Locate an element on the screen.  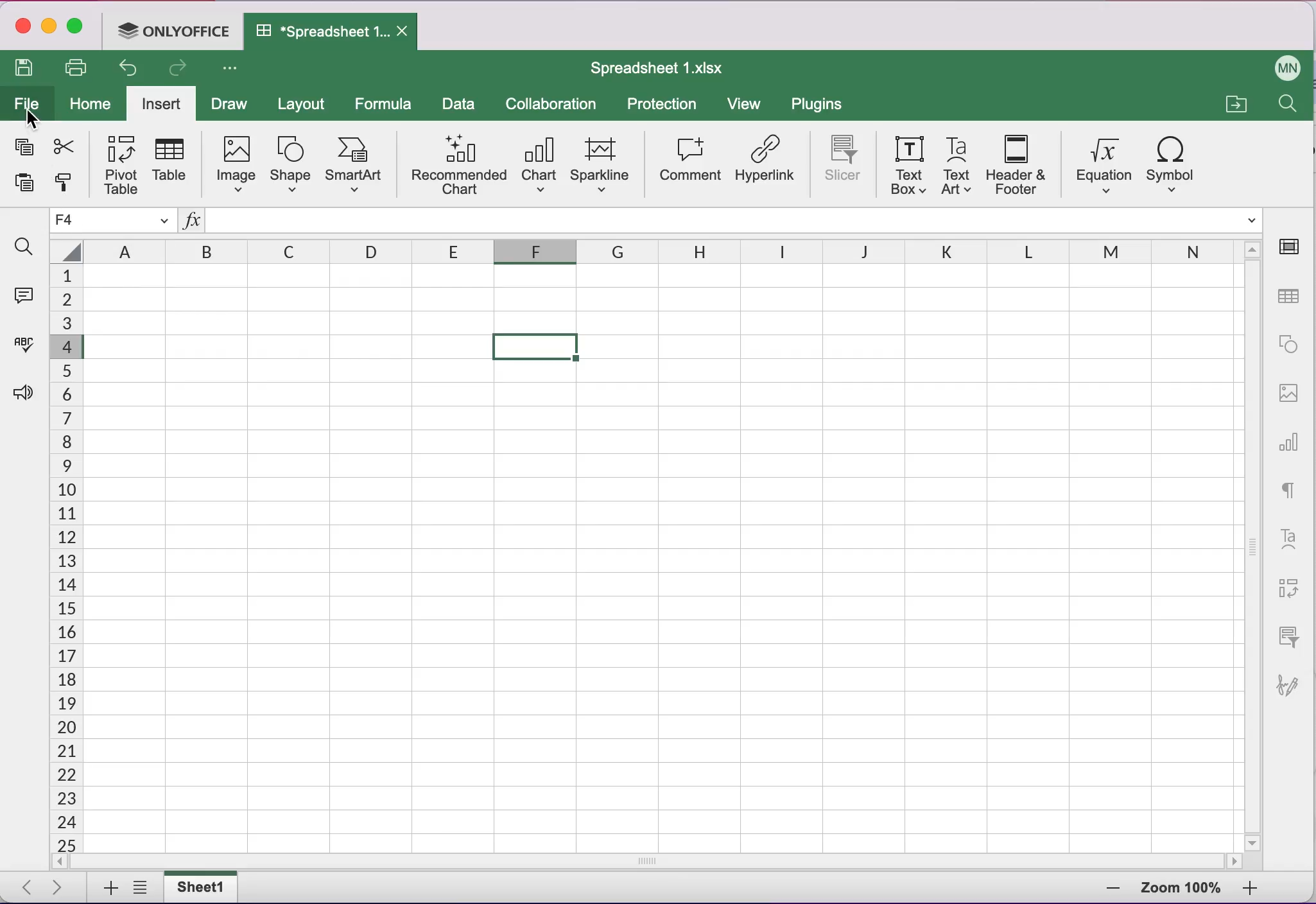
equation is located at coordinates (1100, 161).